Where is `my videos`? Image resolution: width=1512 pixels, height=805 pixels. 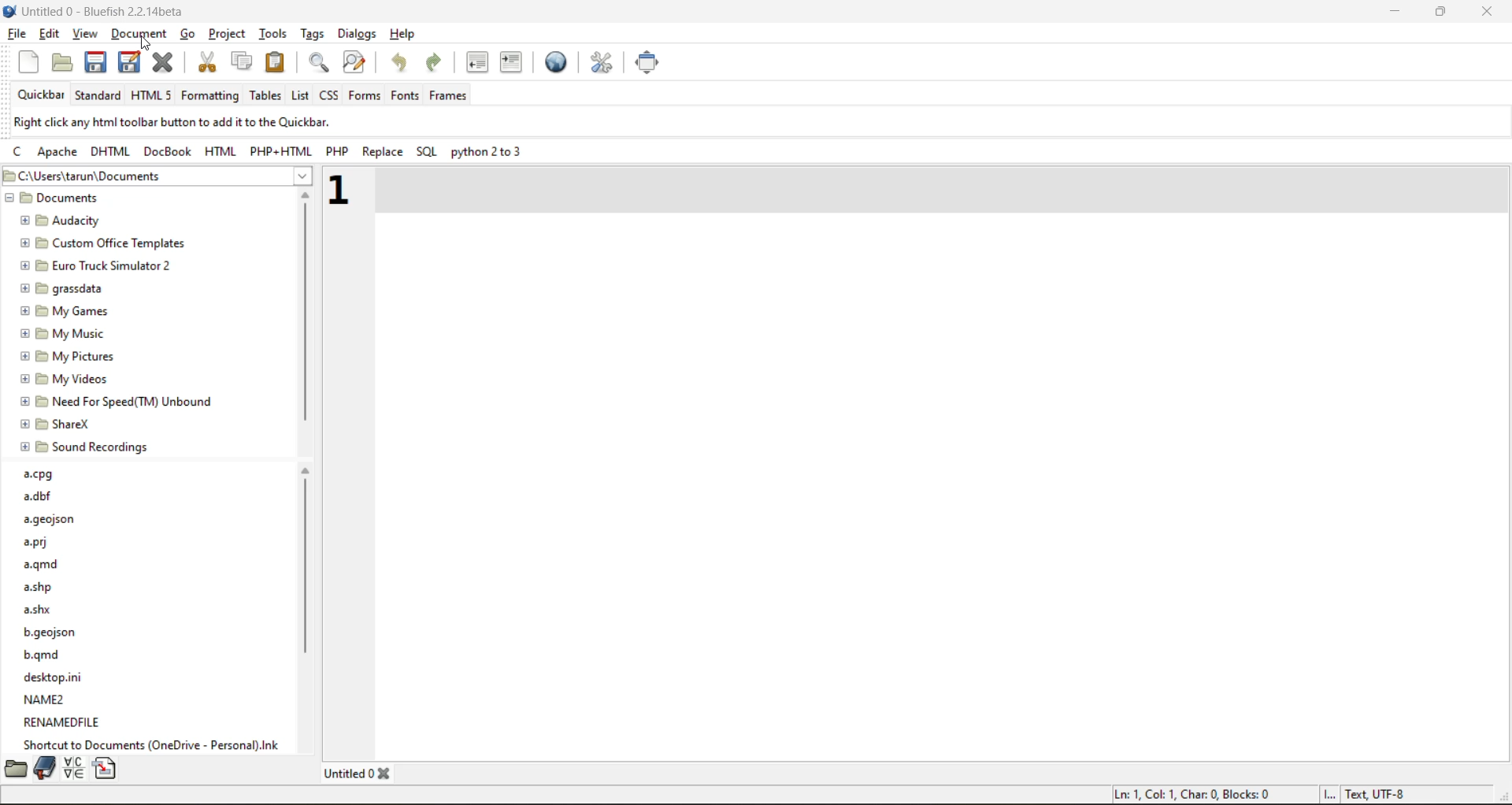
my videos is located at coordinates (66, 380).